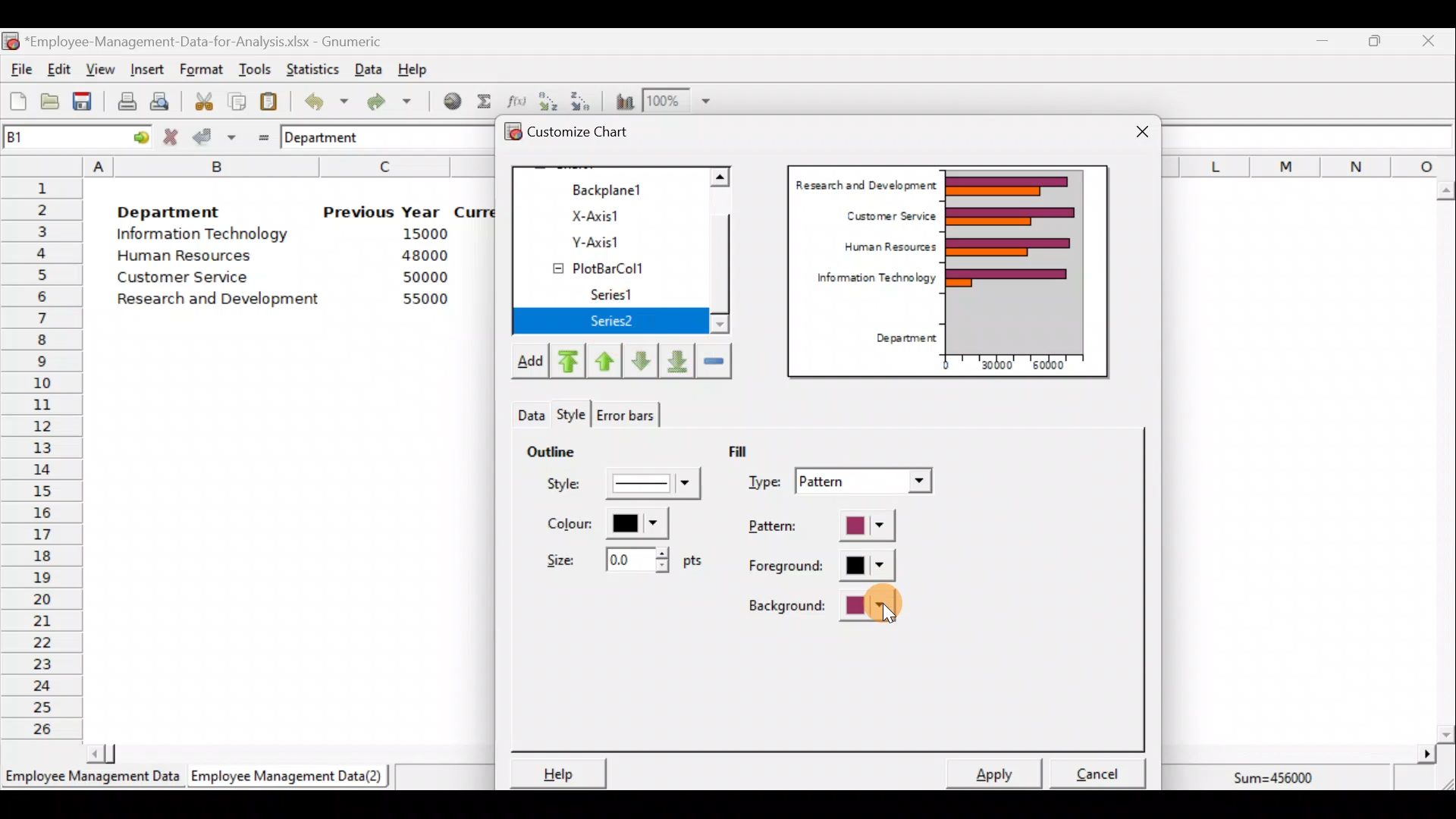 The image size is (1456, 819). I want to click on 30000, so click(996, 363).